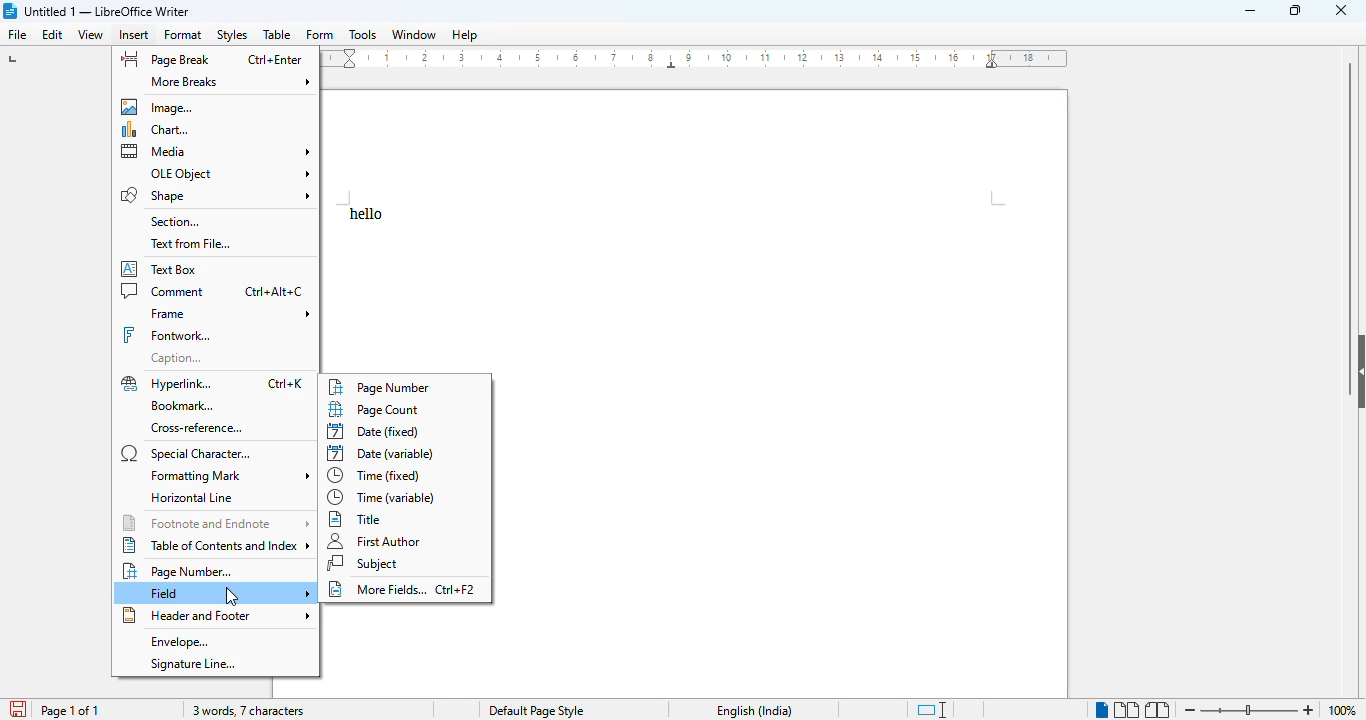 This screenshot has height=720, width=1366. I want to click on title, so click(357, 519).